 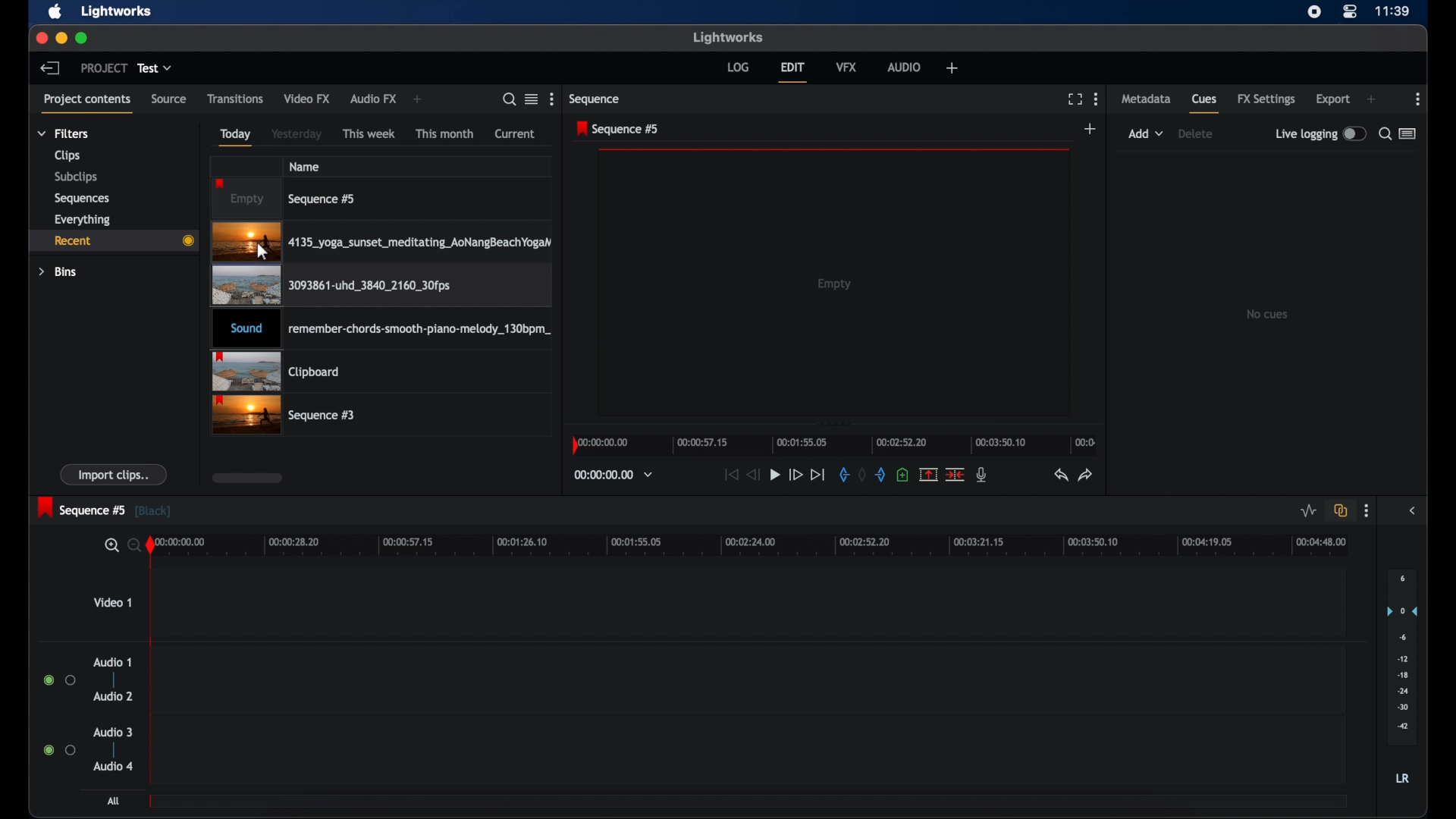 What do you see at coordinates (1392, 11) in the screenshot?
I see `time` at bounding box center [1392, 11].